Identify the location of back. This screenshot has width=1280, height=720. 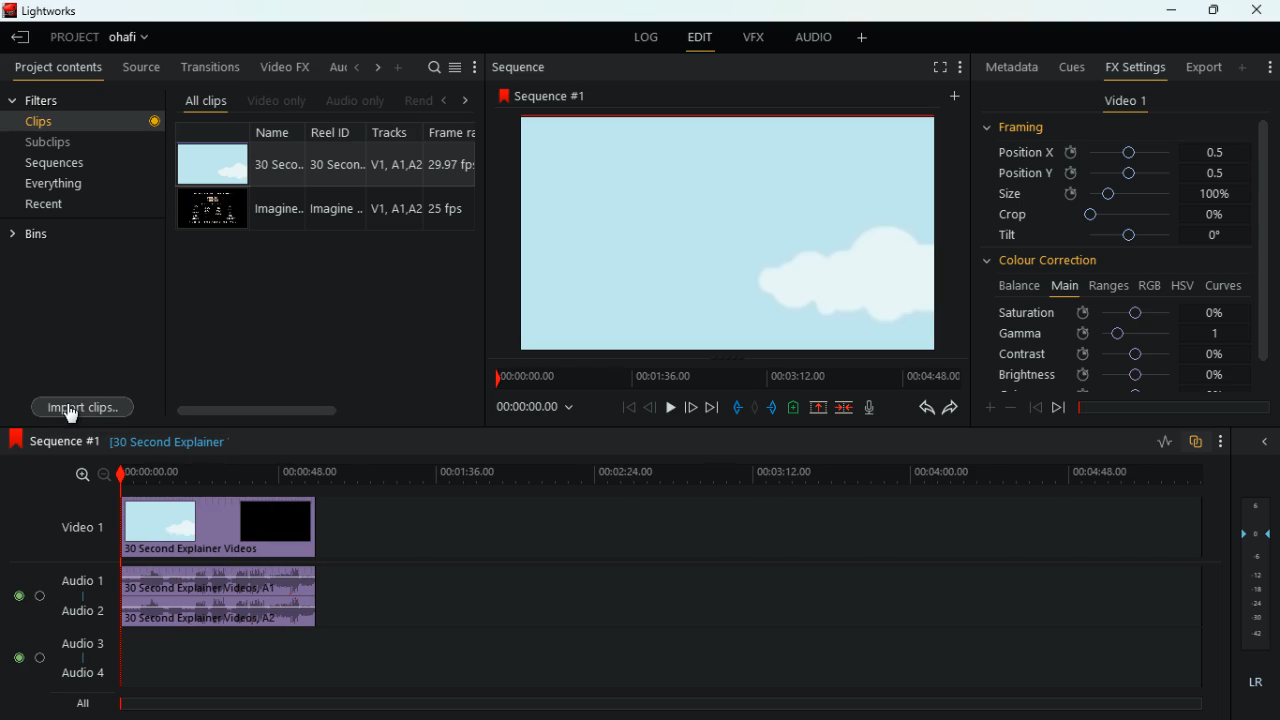
(650, 407).